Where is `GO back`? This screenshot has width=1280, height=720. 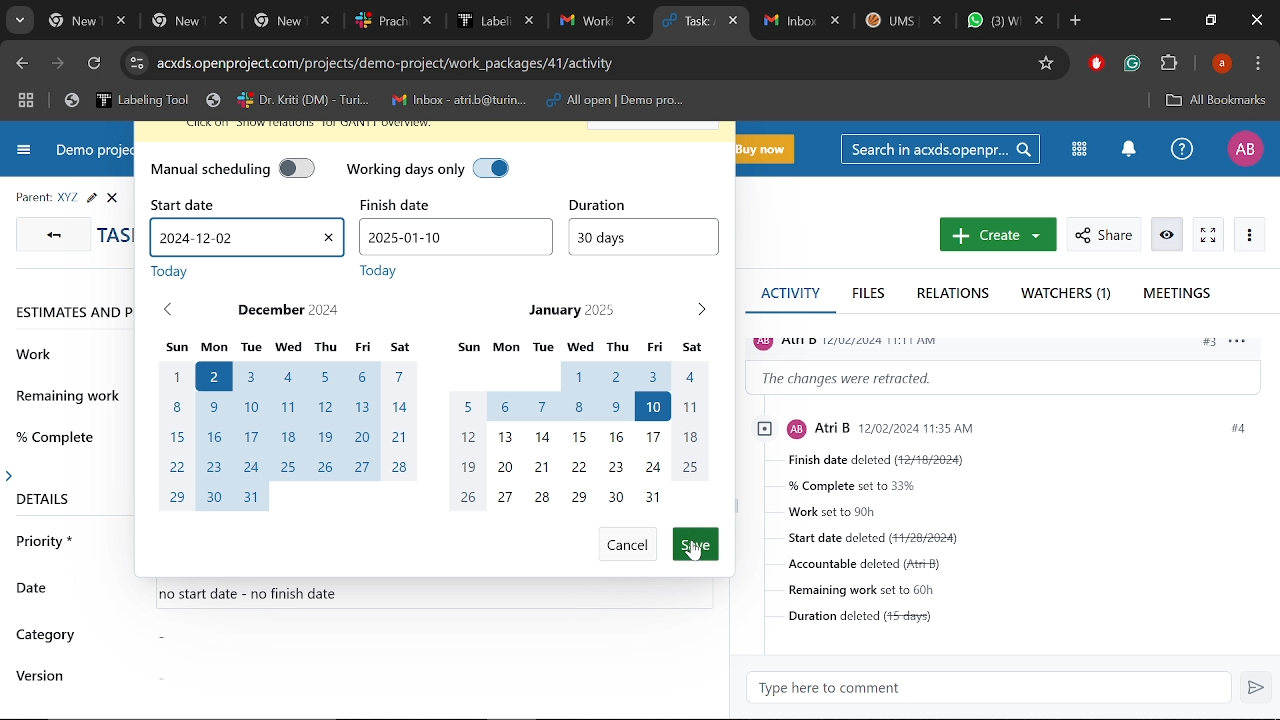
GO back is located at coordinates (50, 233).